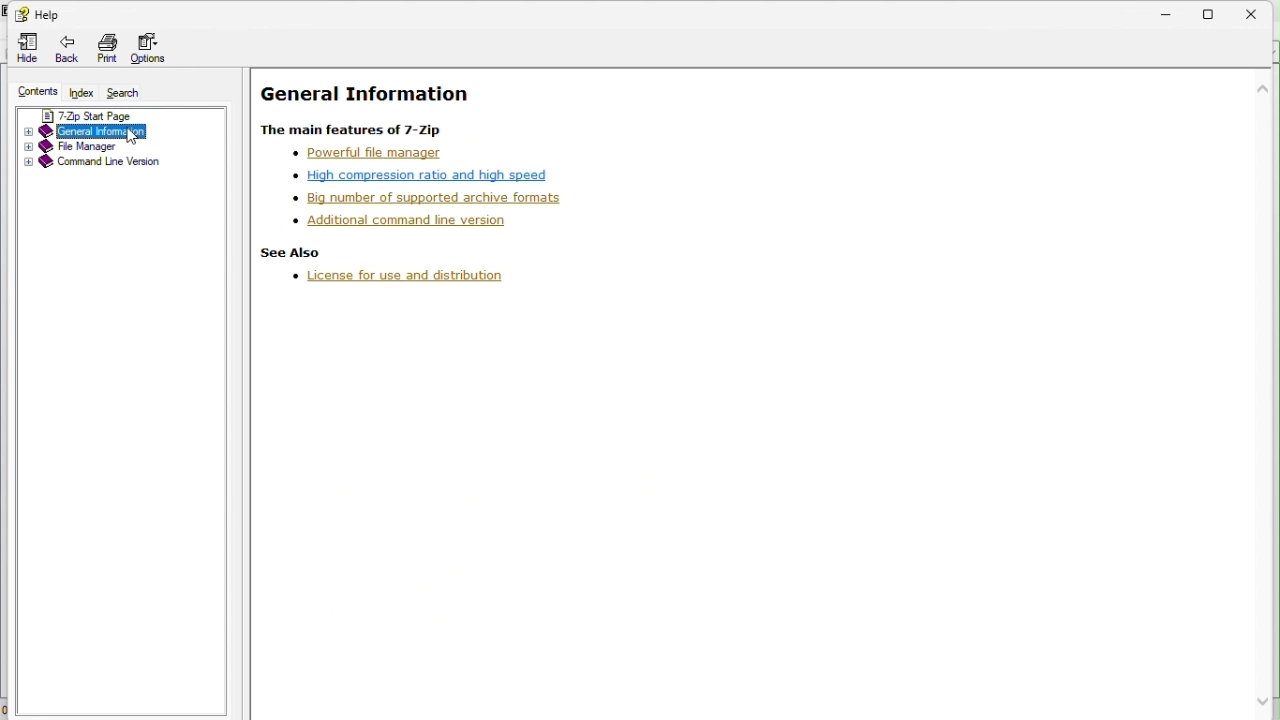  I want to click on see  also, so click(292, 251).